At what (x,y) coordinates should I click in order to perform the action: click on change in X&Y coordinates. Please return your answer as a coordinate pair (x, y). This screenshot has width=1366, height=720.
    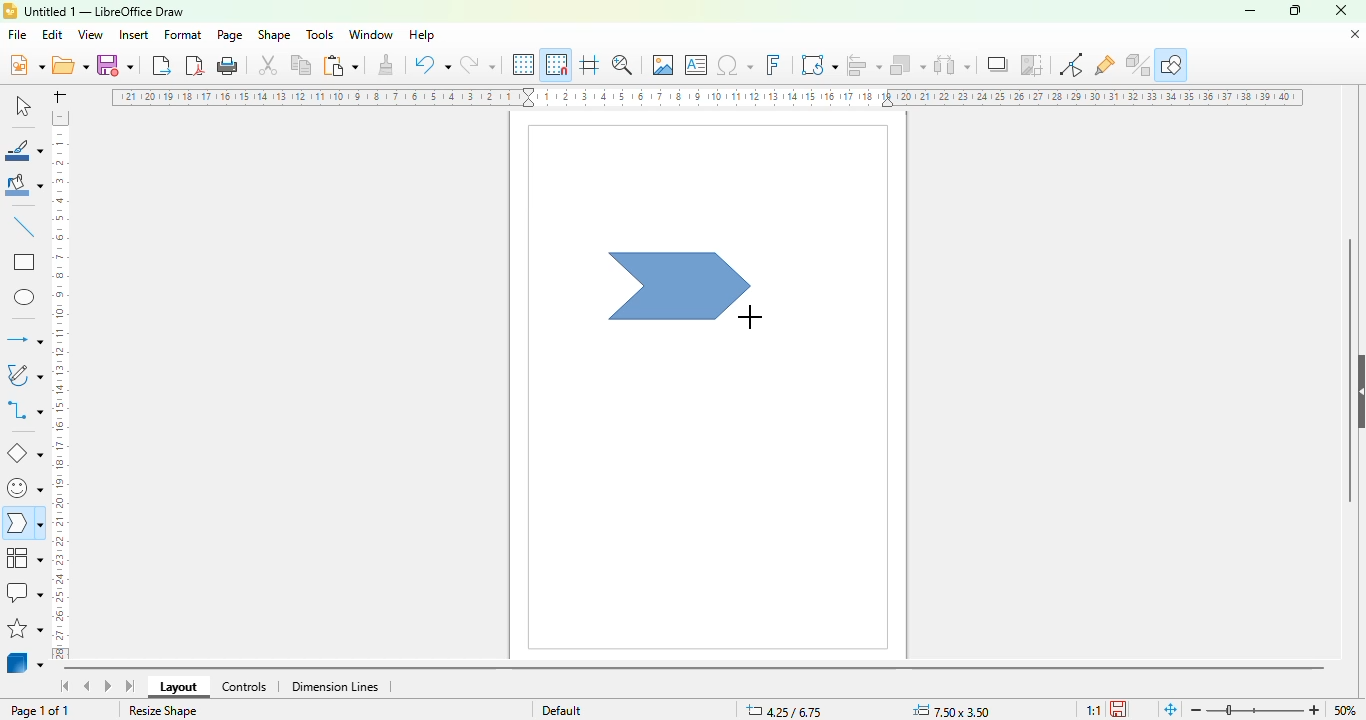
    Looking at the image, I should click on (784, 710).